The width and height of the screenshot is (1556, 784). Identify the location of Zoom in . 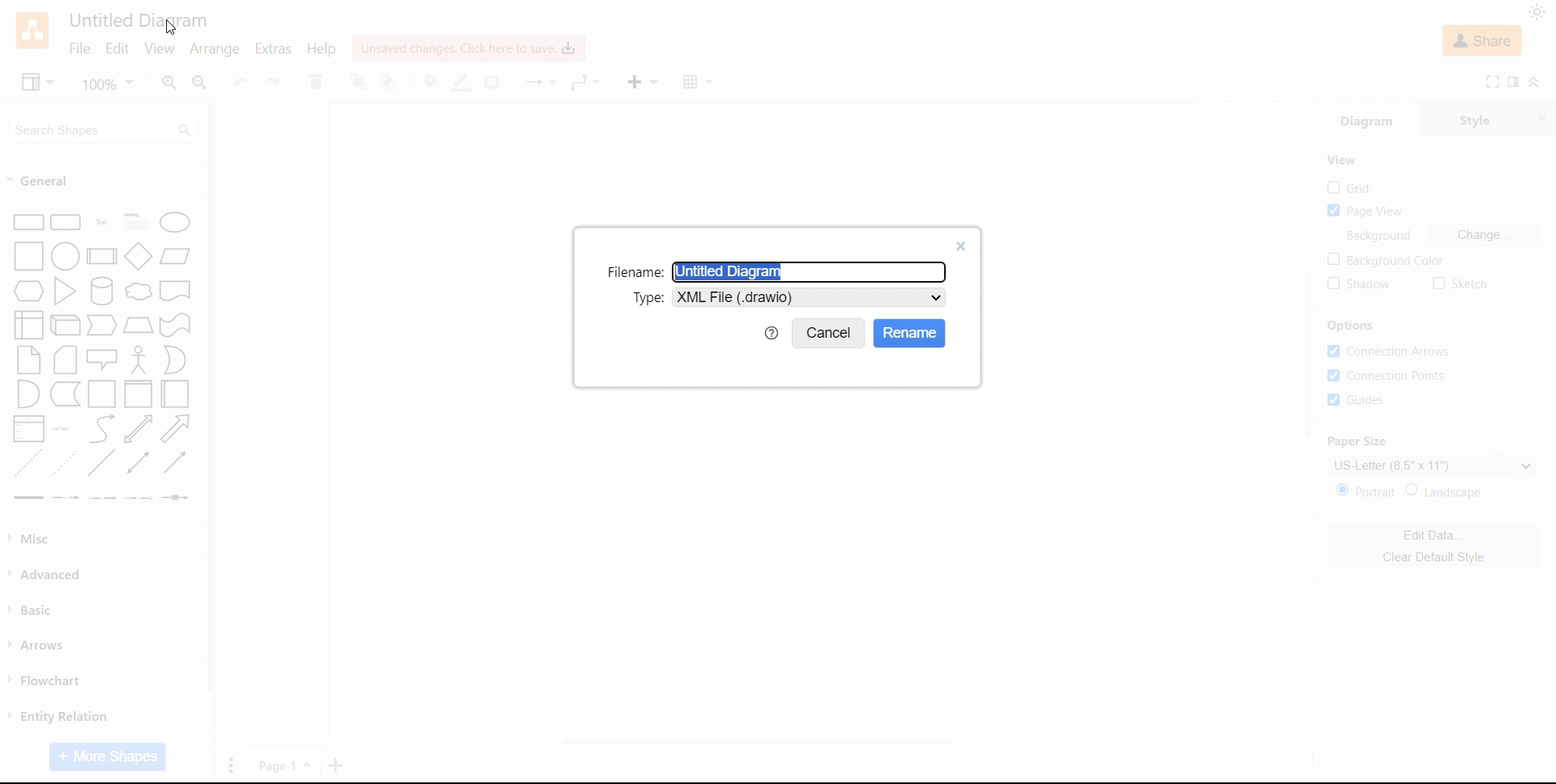
(169, 83).